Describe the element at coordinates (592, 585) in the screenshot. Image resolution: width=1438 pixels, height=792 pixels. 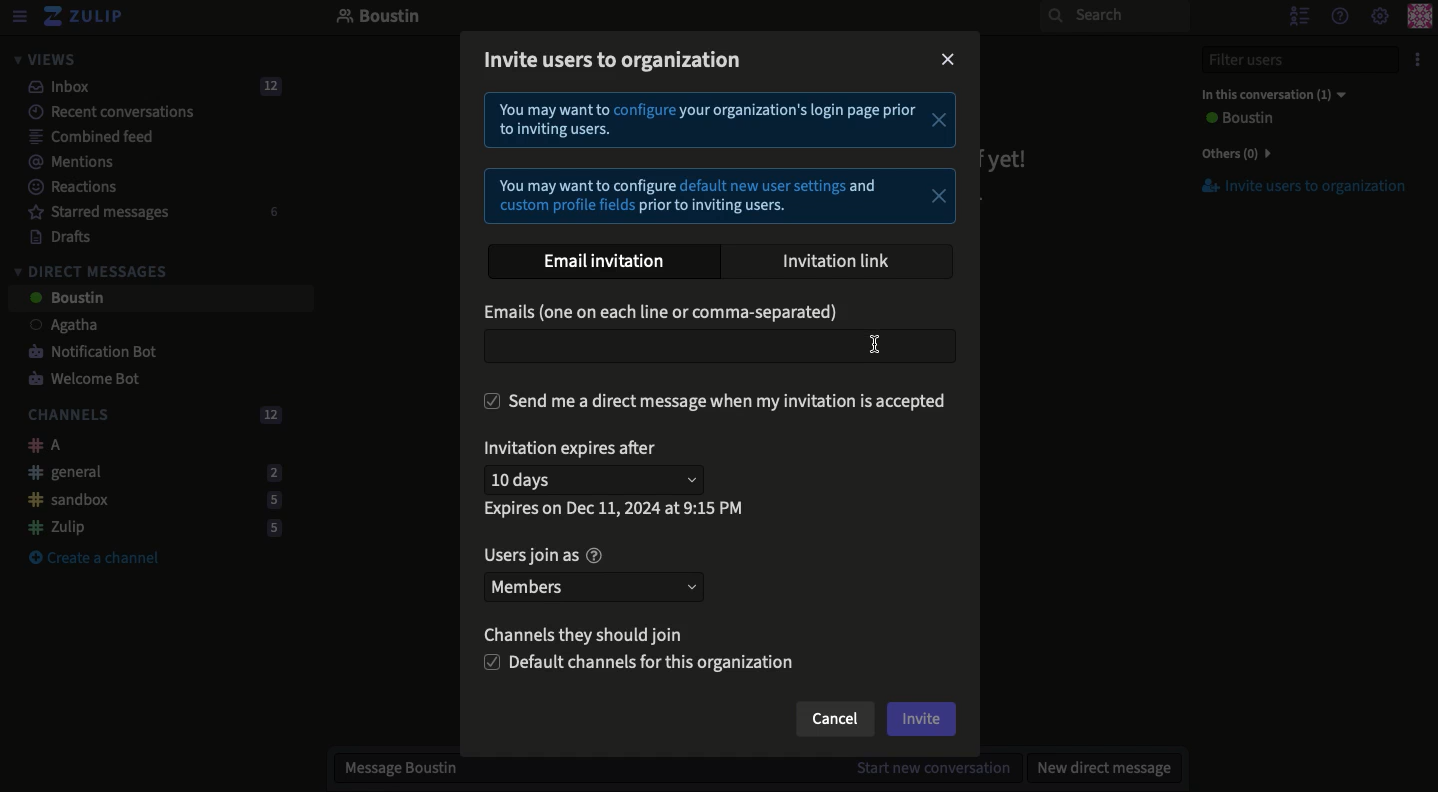
I see `Members` at that location.